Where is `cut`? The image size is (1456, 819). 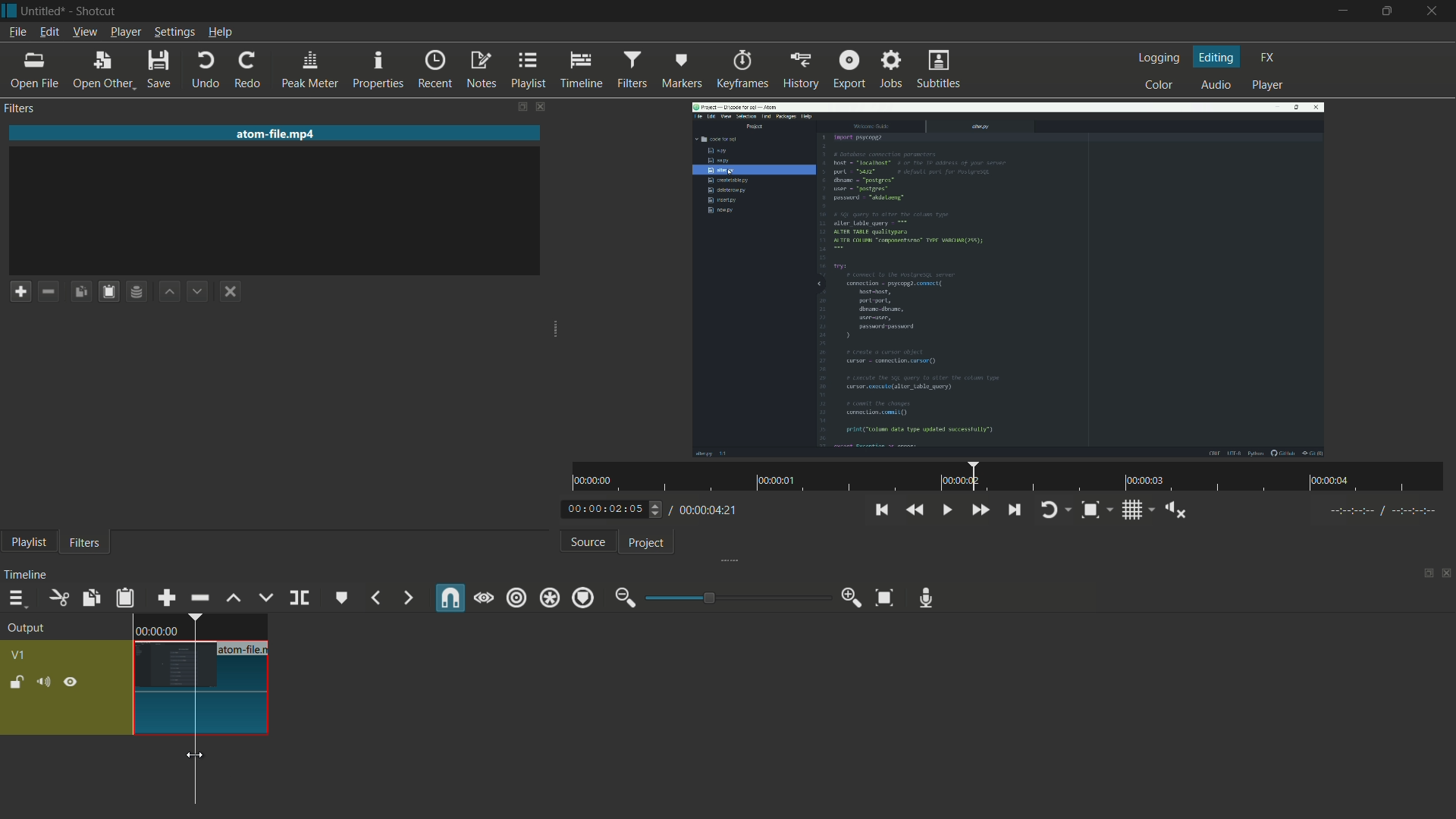 cut is located at coordinates (58, 598).